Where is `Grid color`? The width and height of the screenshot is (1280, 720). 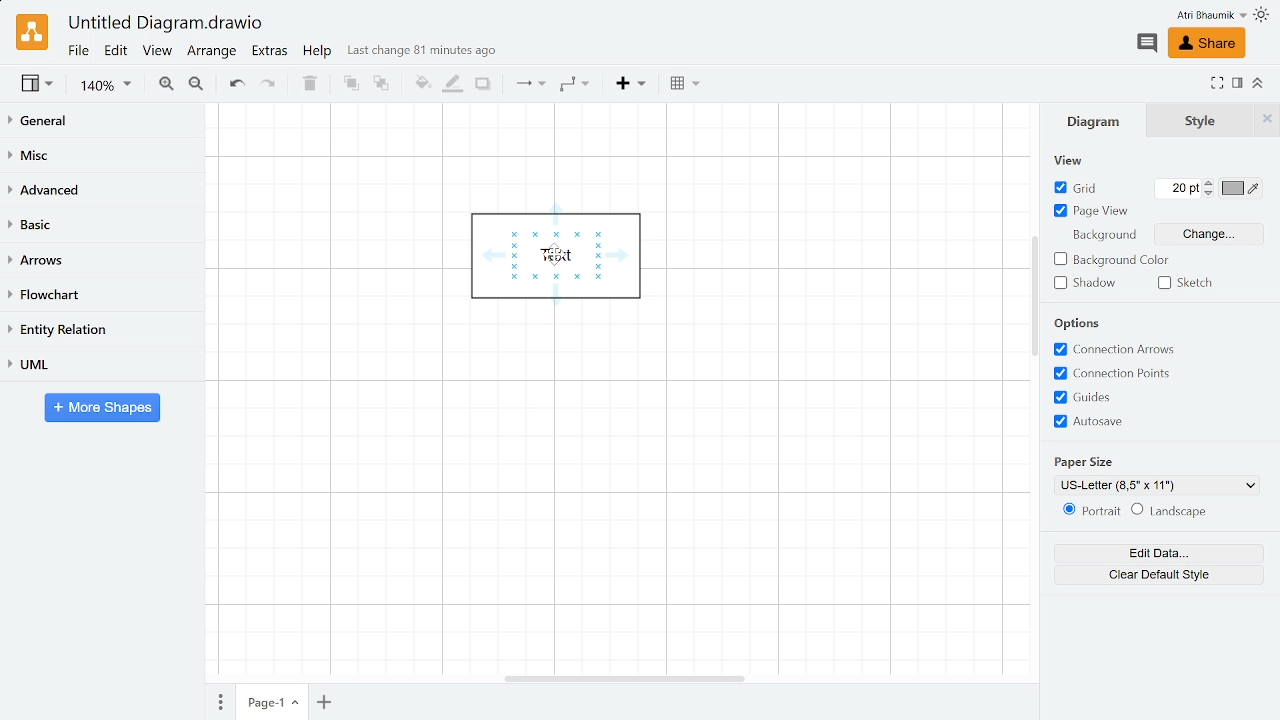
Grid color is located at coordinates (1241, 188).